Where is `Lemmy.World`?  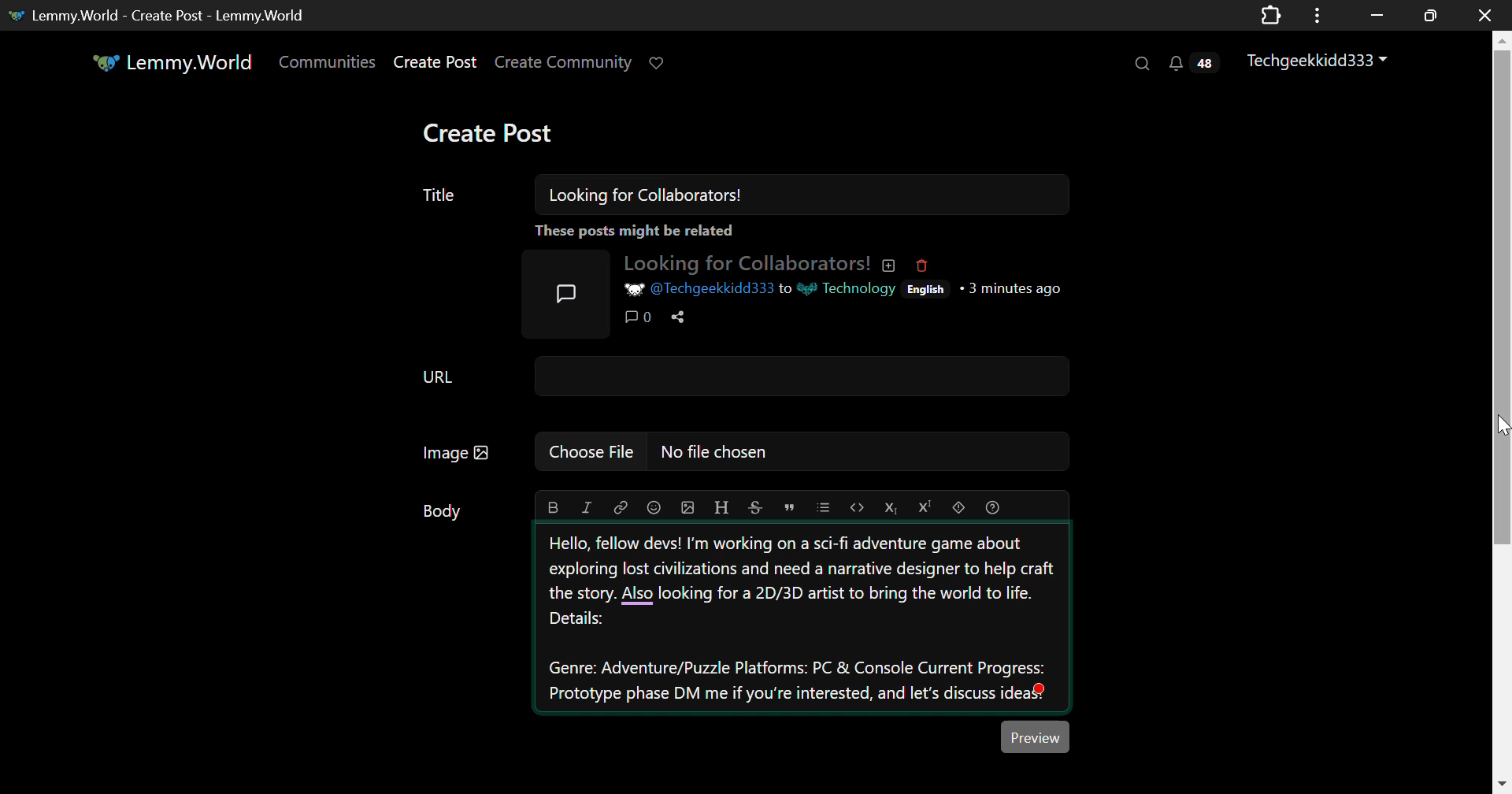 Lemmy.World is located at coordinates (169, 63).